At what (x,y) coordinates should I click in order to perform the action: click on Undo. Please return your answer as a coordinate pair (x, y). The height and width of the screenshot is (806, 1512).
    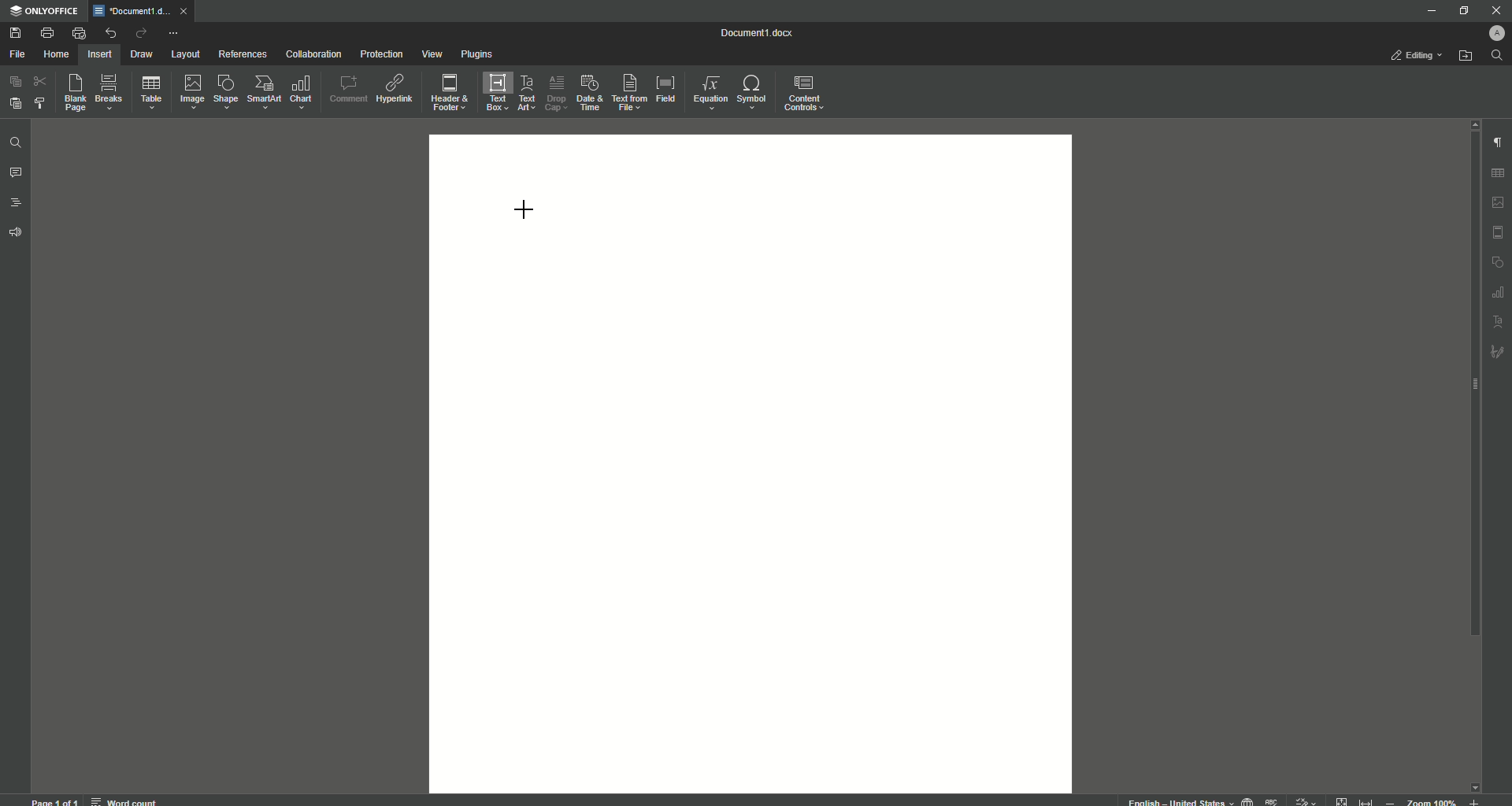
    Looking at the image, I should click on (109, 33).